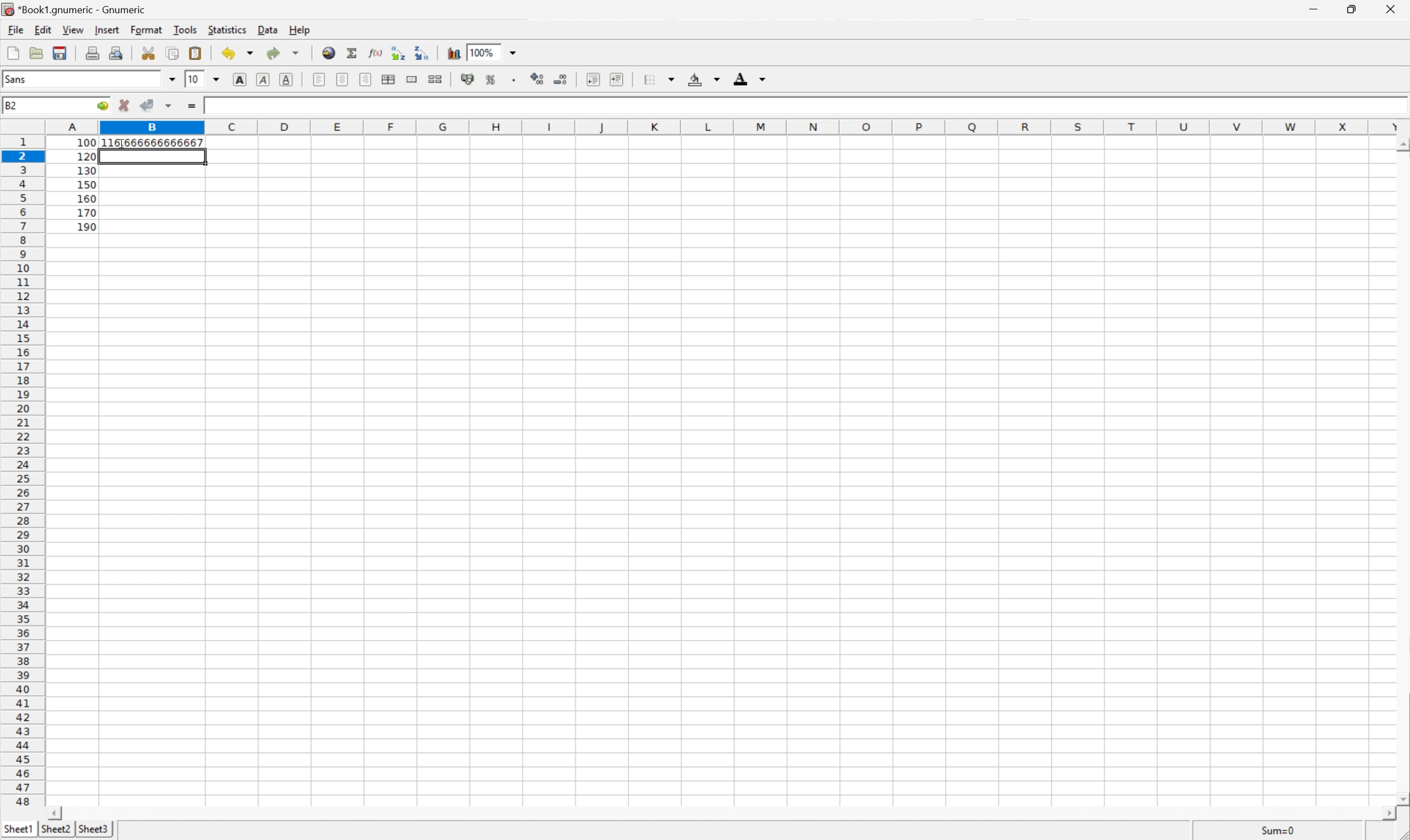 The height and width of the screenshot is (840, 1410). I want to click on Scroll Up, so click(1401, 144).